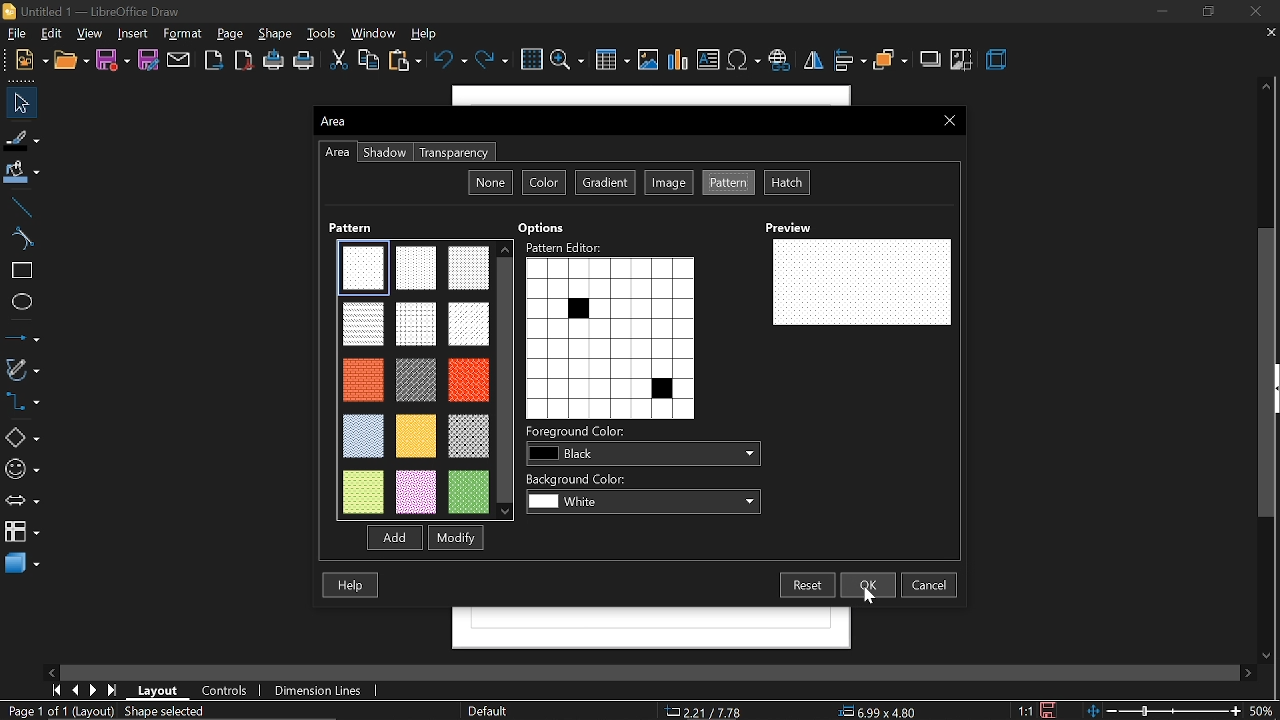  What do you see at coordinates (59, 711) in the screenshot?
I see `current page` at bounding box center [59, 711].